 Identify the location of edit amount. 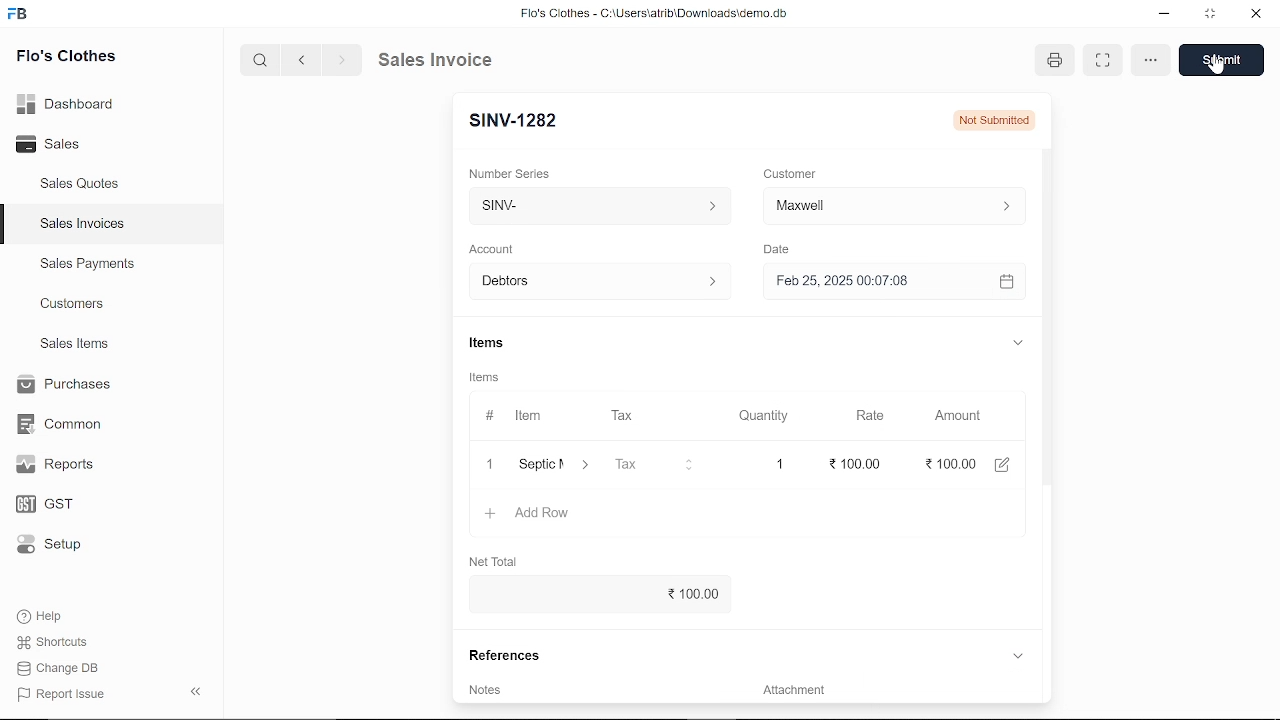
(1003, 463).